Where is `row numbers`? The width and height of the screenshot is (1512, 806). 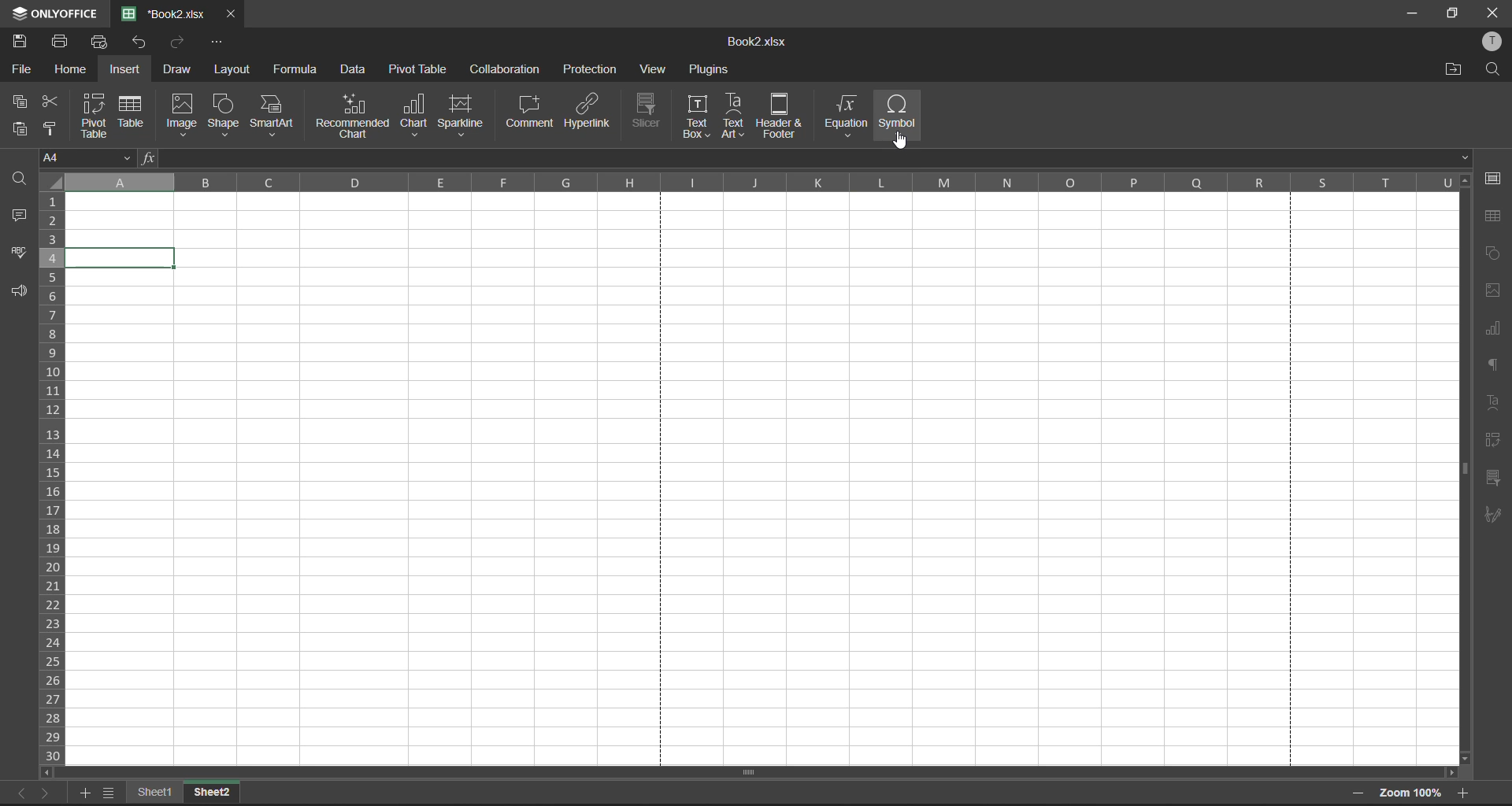 row numbers is located at coordinates (55, 480).